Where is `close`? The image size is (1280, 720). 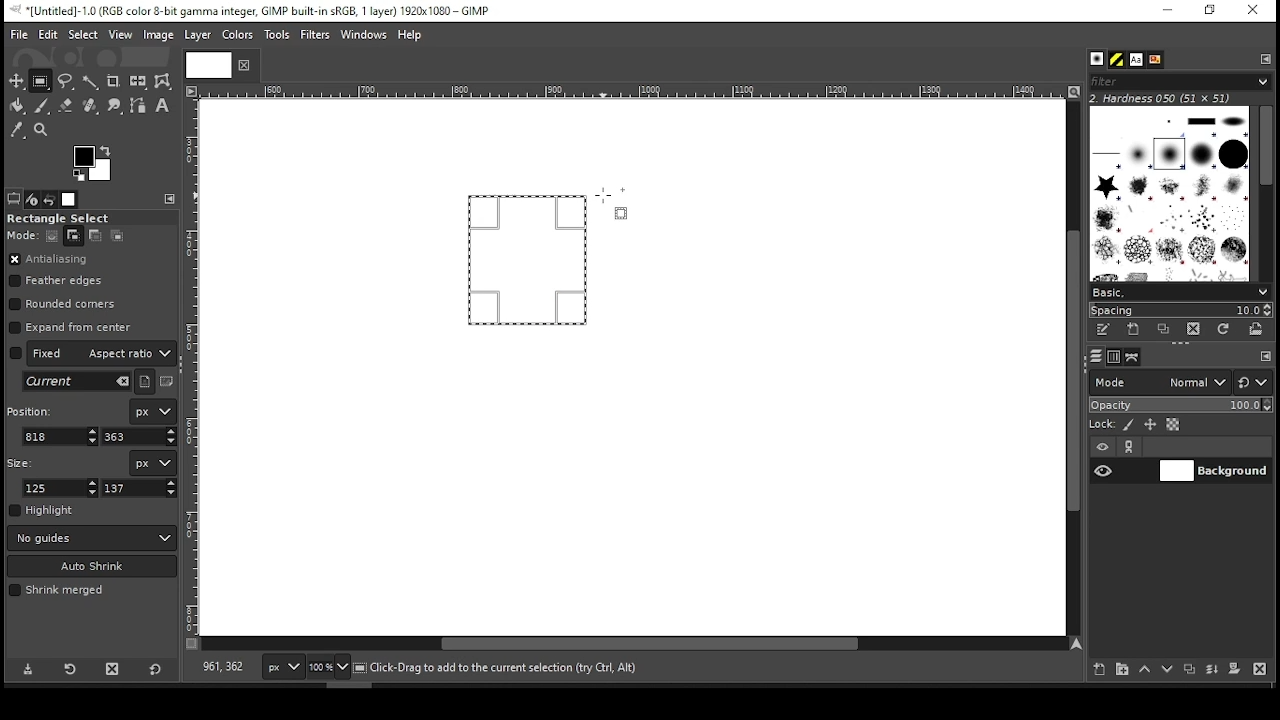
close is located at coordinates (242, 65).